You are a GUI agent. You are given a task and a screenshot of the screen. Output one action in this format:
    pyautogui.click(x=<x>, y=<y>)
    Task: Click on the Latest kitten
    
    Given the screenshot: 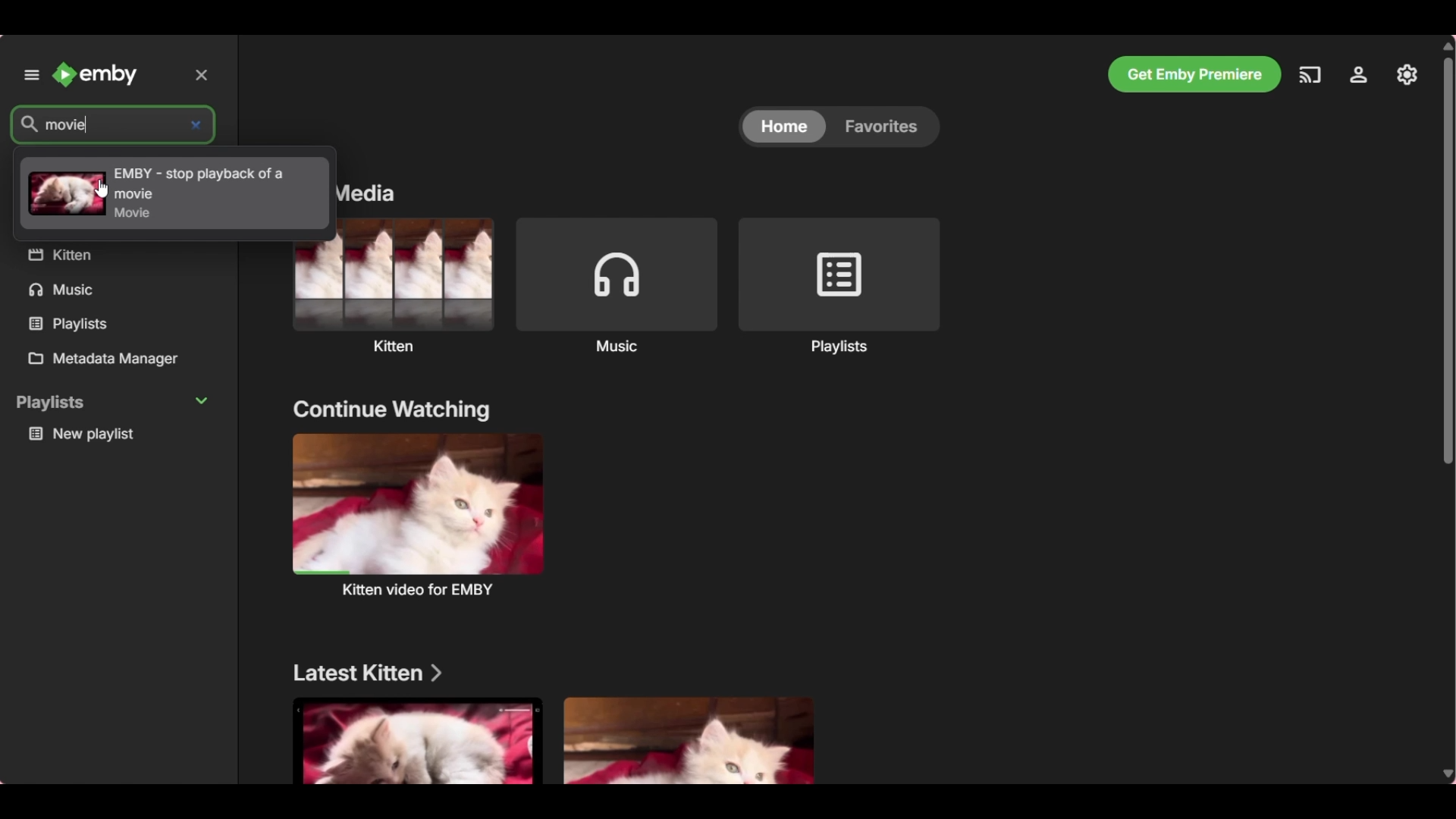 What is the action you would take?
    pyautogui.click(x=371, y=673)
    